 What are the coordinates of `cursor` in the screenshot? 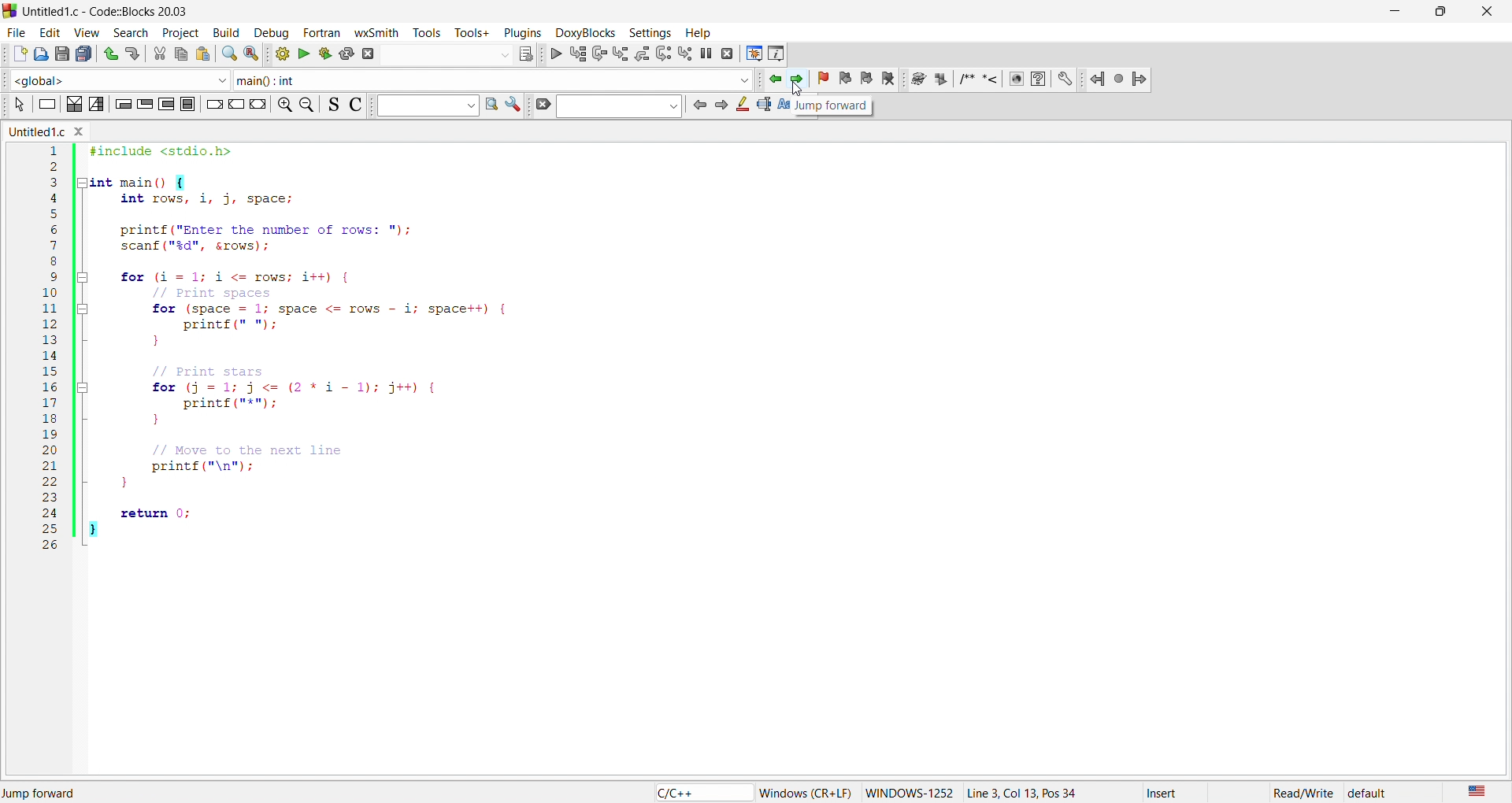 It's located at (800, 92).